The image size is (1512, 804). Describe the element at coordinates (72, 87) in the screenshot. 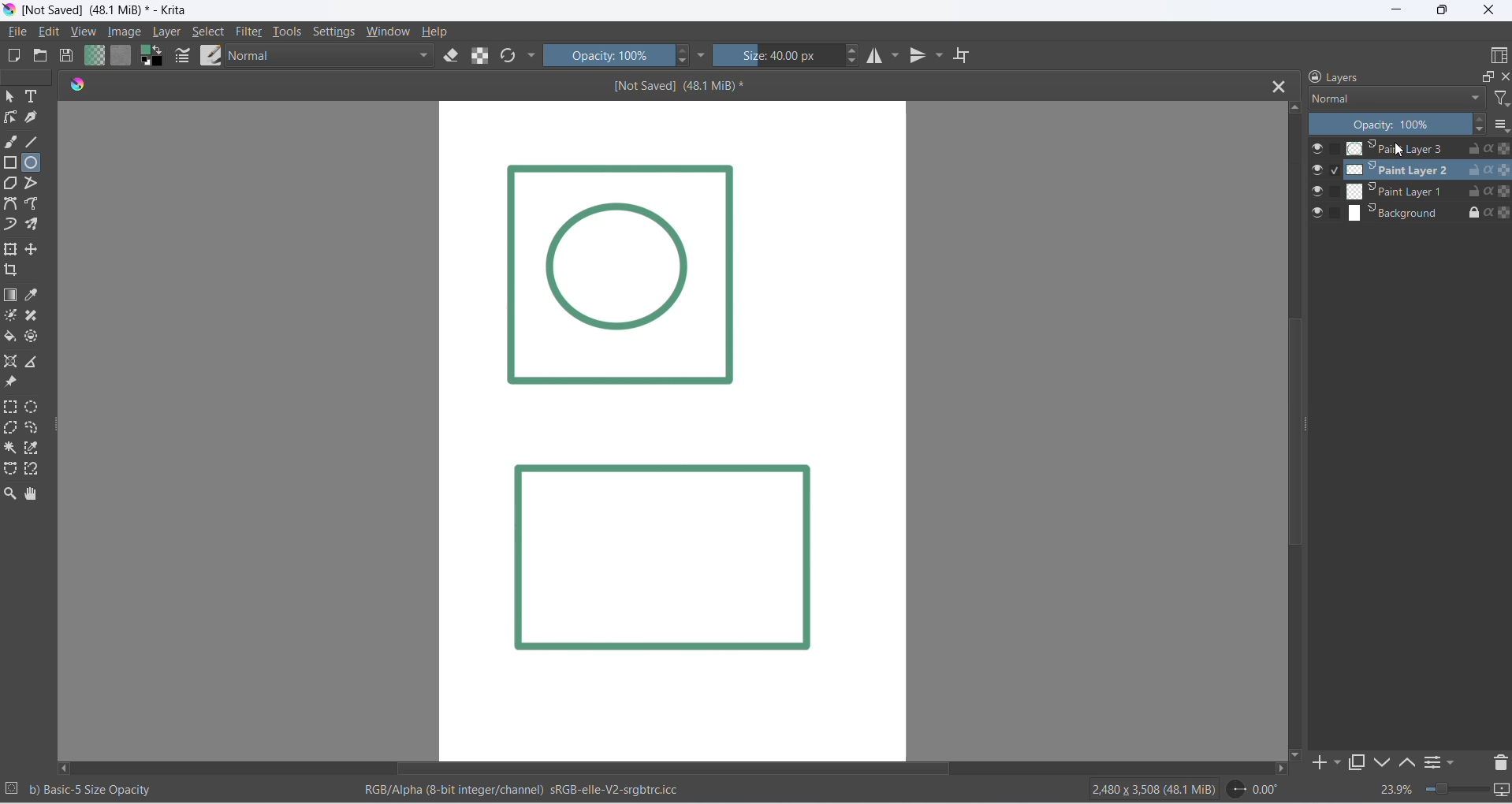

I see `icon` at that location.